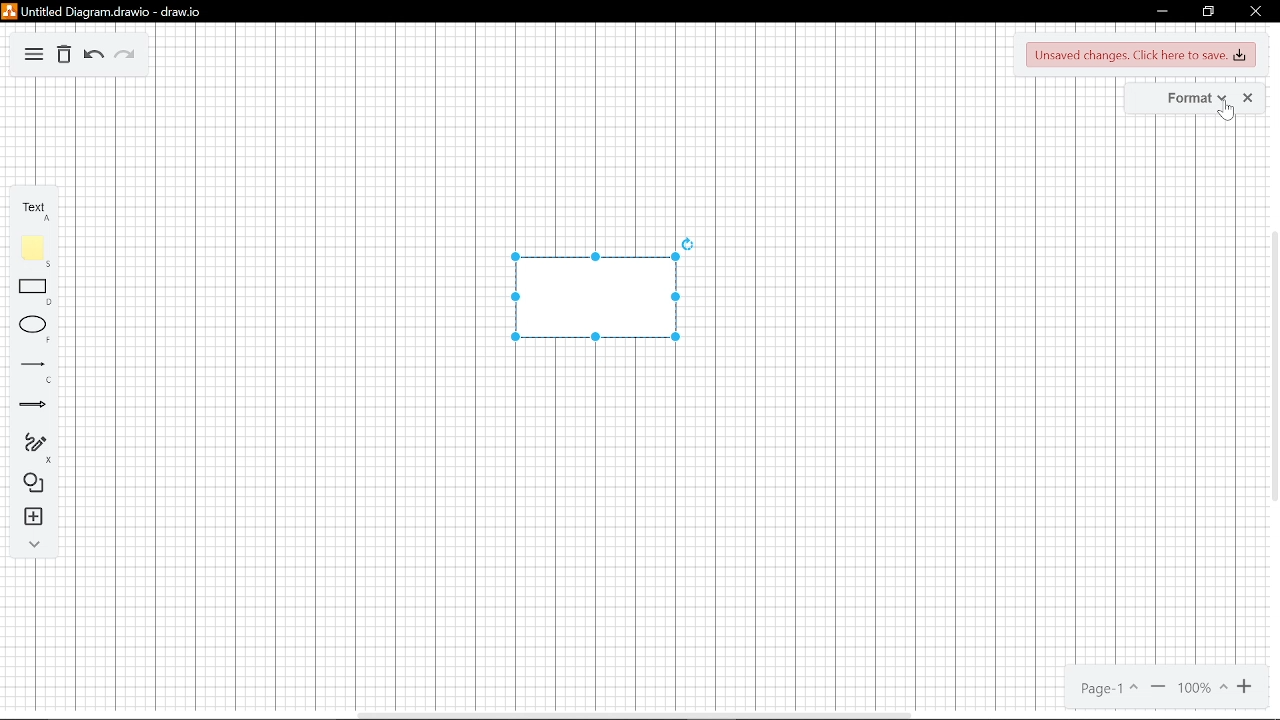  I want to click on Cursor, so click(1226, 114).